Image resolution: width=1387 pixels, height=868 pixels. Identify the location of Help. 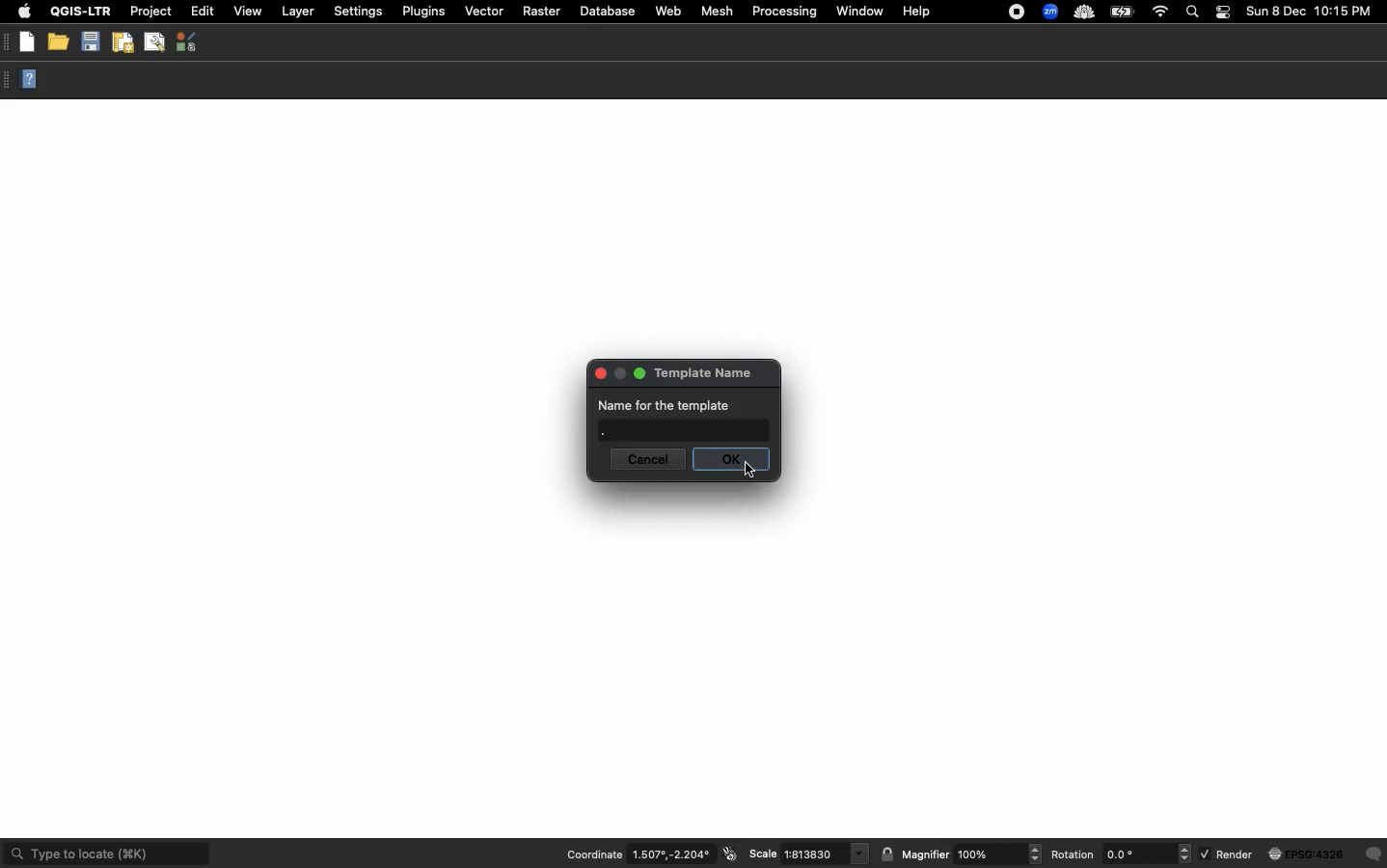
(920, 10).